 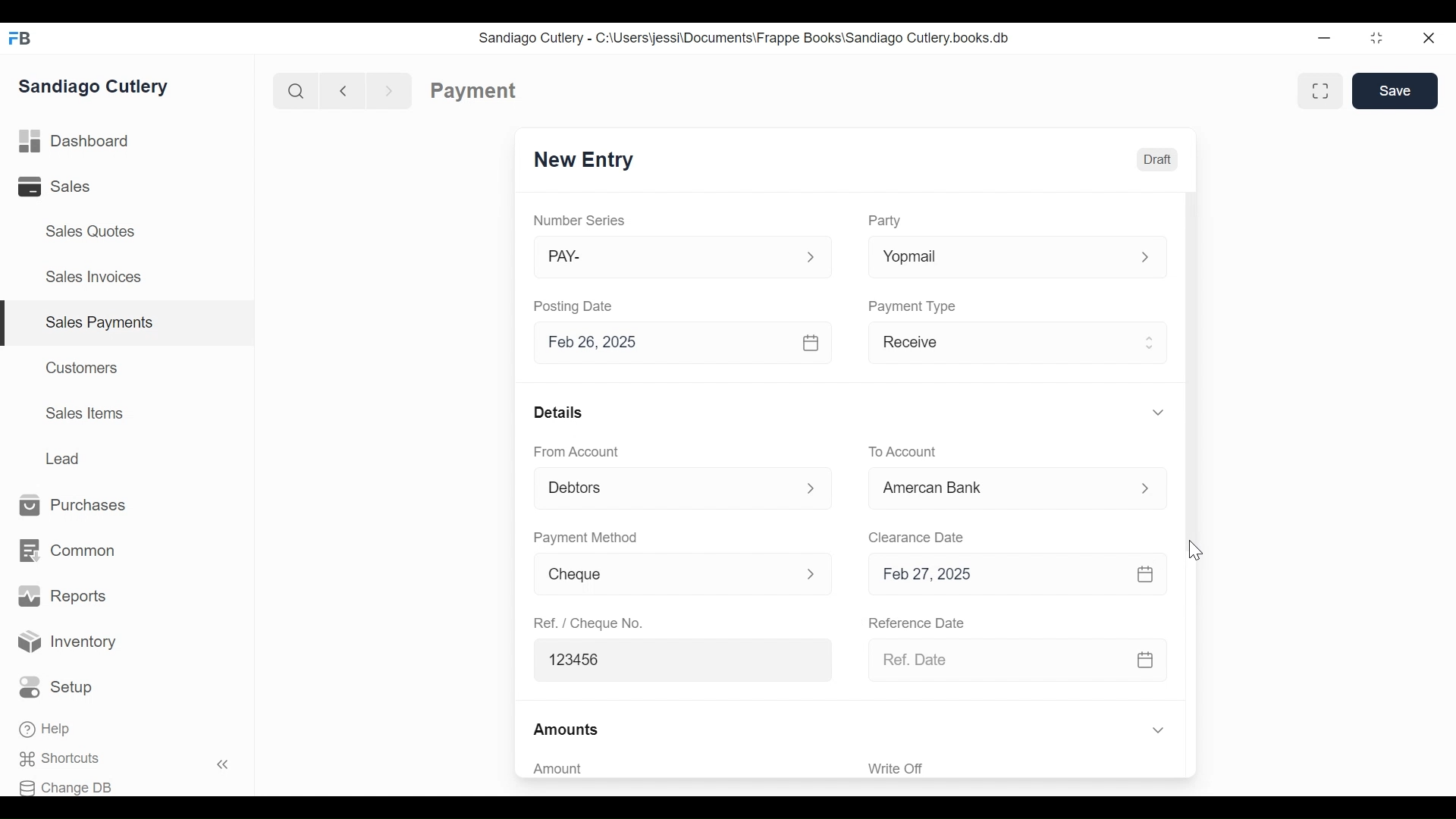 I want to click on Expand, so click(x=811, y=258).